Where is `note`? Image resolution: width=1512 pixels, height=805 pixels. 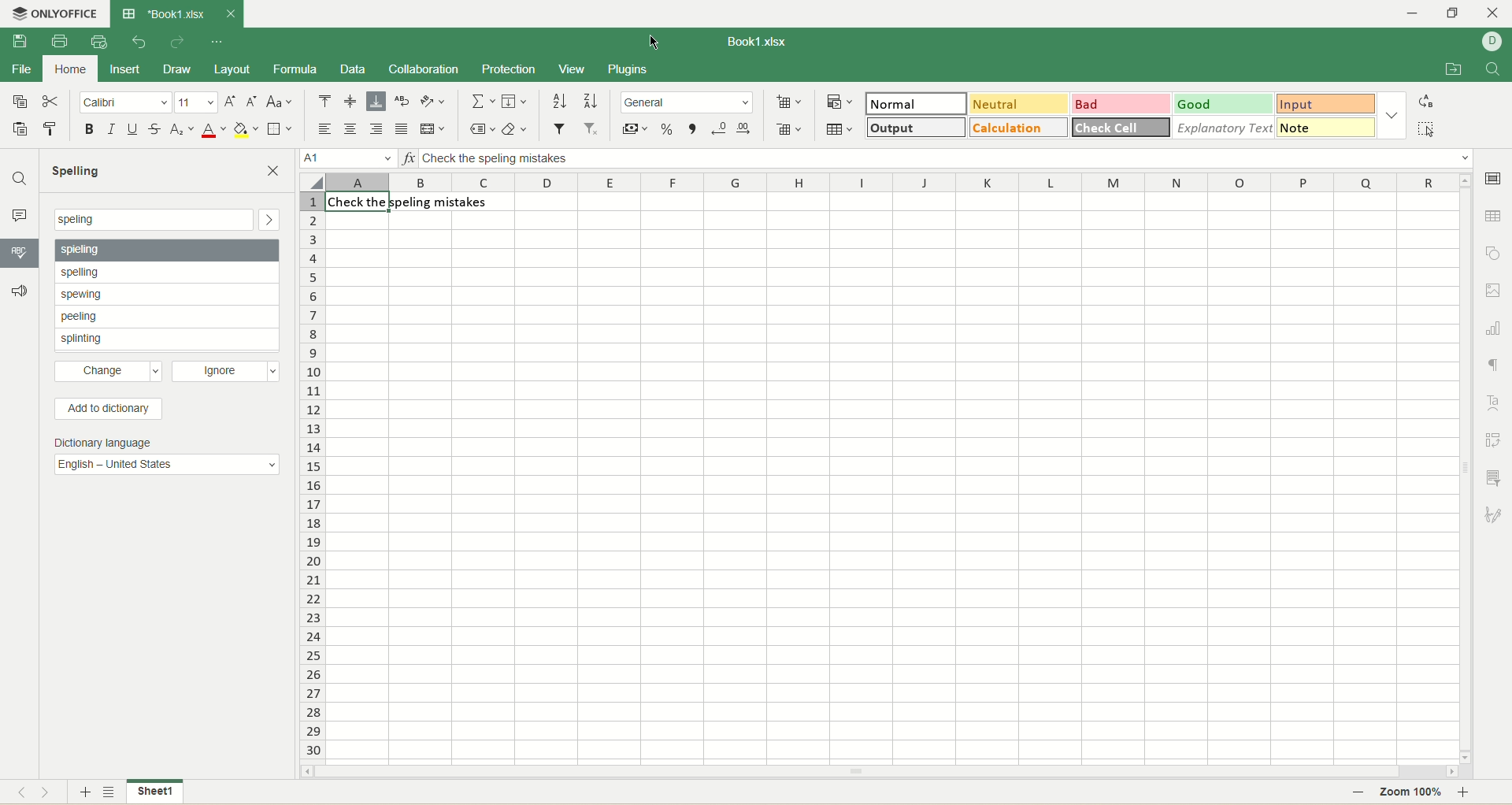 note is located at coordinates (1325, 128).